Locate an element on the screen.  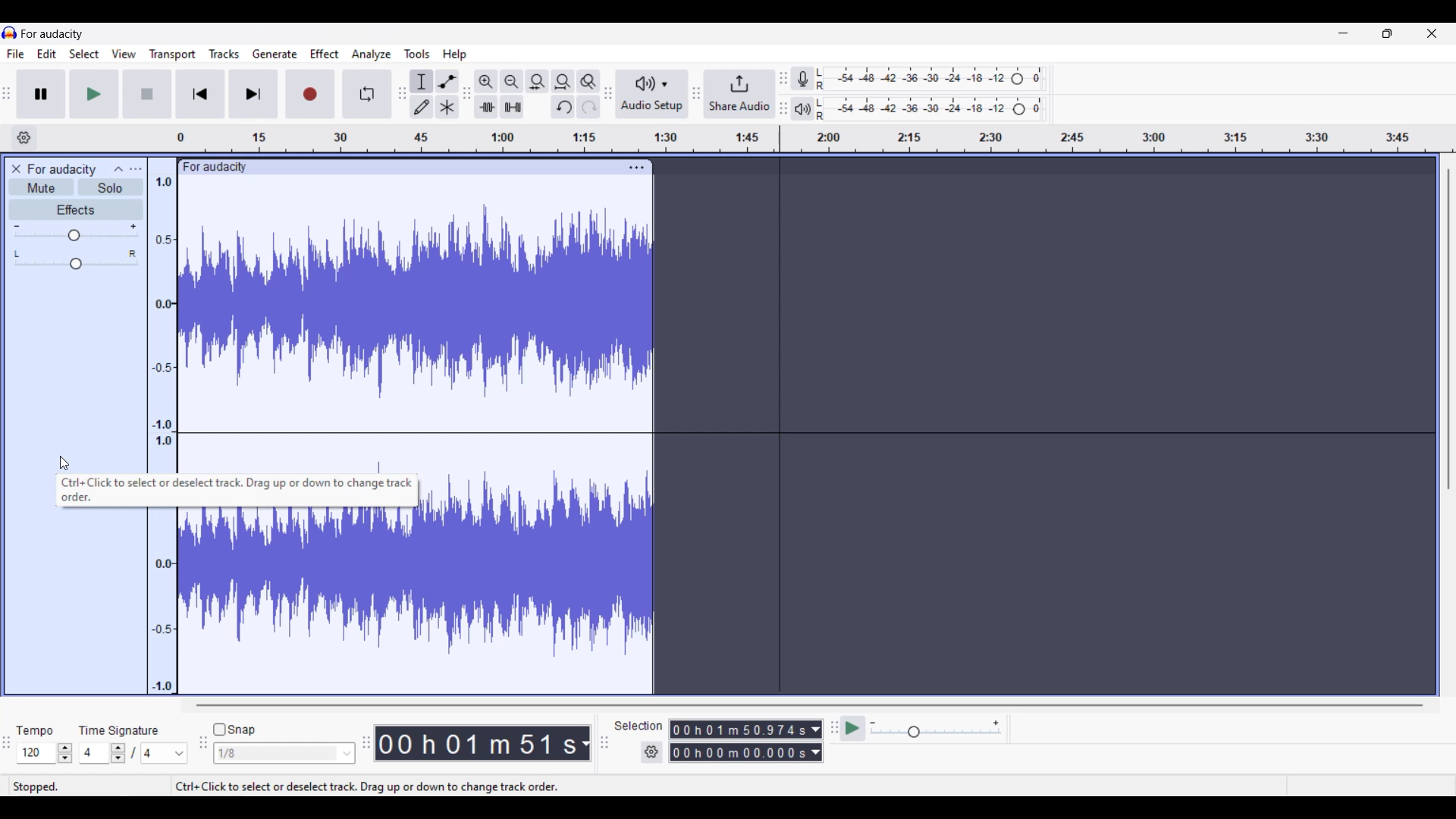
Generate menu is located at coordinates (275, 54).